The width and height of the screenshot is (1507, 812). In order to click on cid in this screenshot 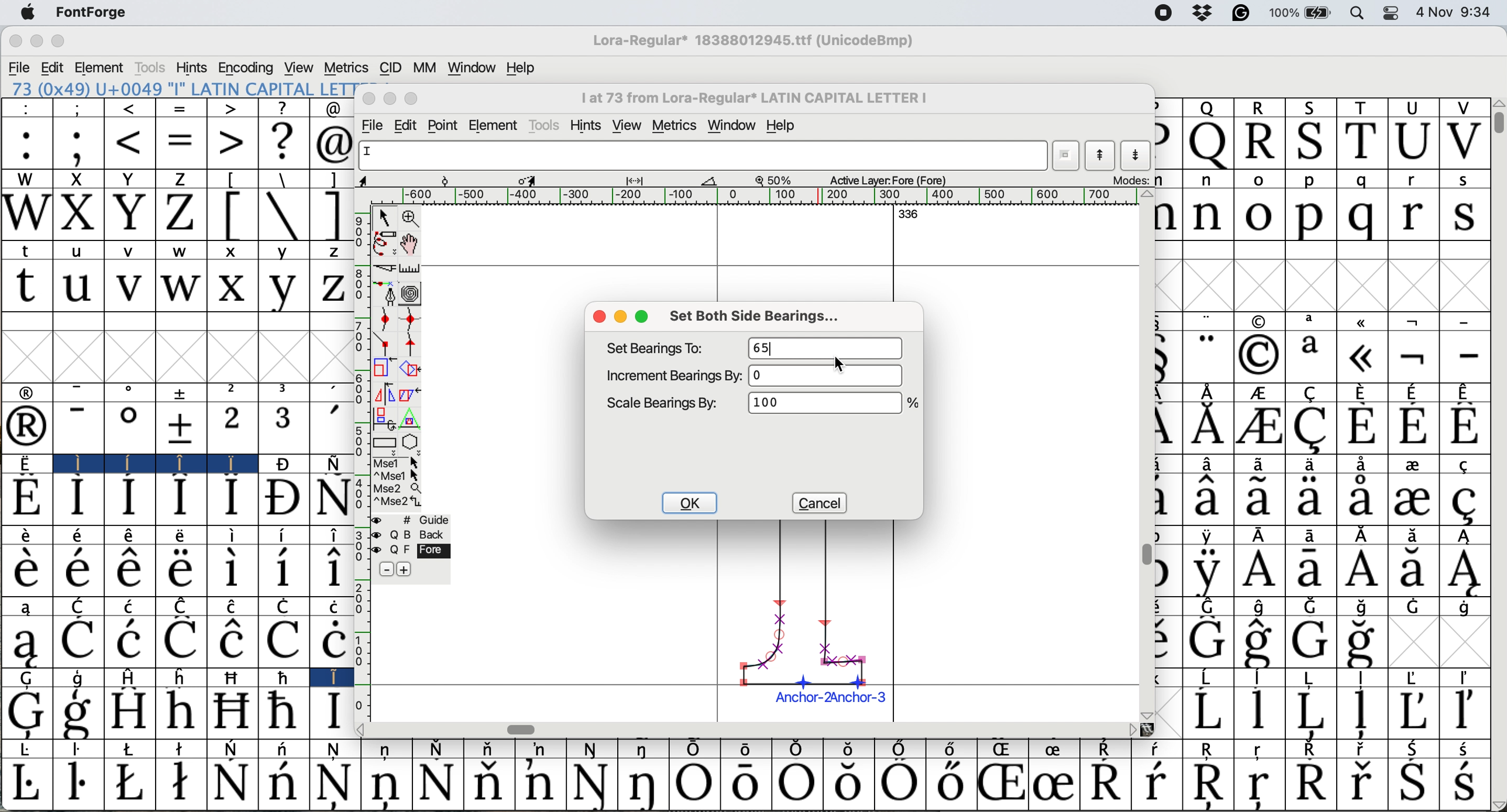, I will do `click(389, 67)`.